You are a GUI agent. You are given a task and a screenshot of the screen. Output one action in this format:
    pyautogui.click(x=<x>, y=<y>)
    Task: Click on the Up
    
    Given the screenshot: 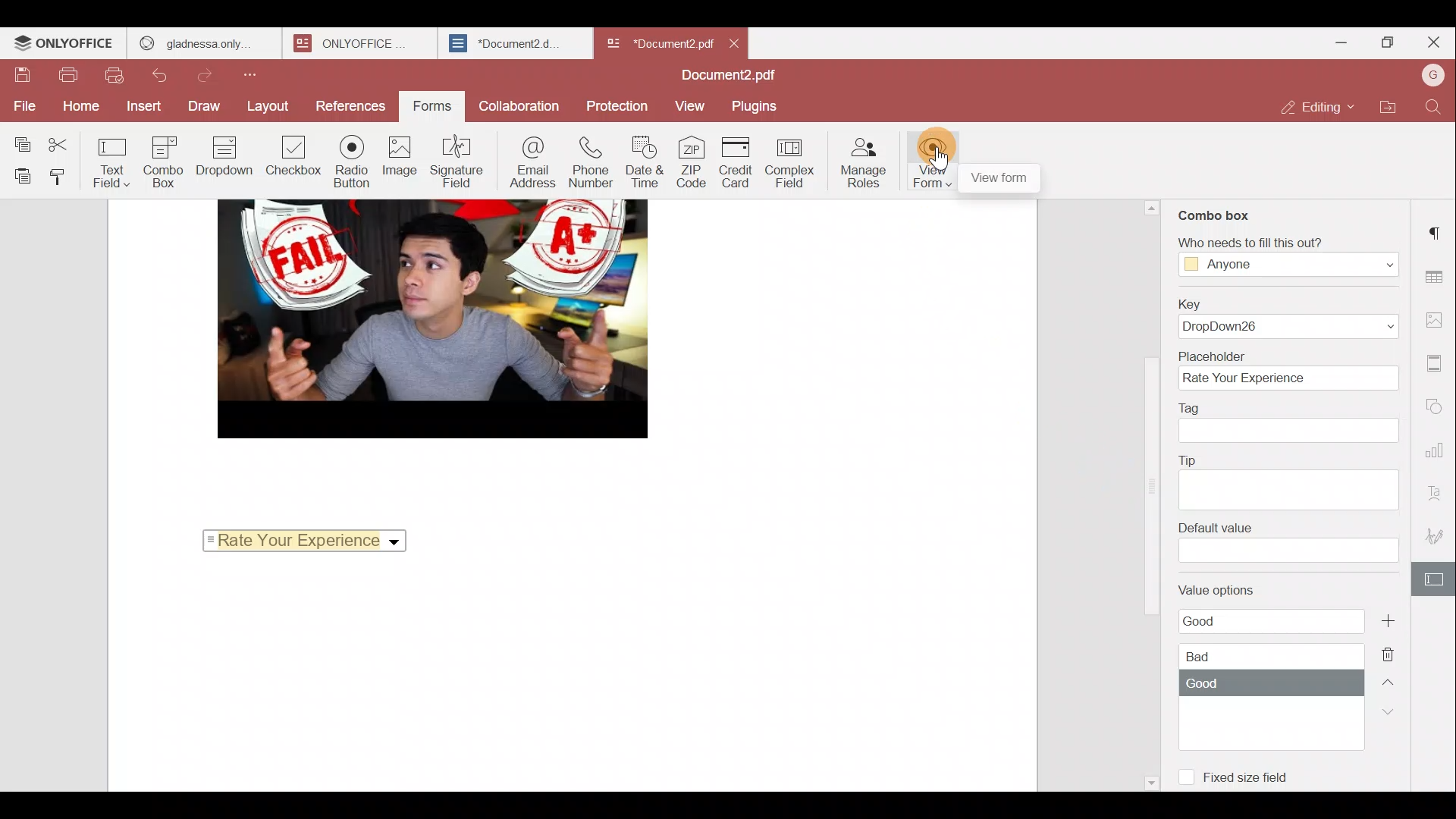 What is the action you would take?
    pyautogui.click(x=1389, y=687)
    